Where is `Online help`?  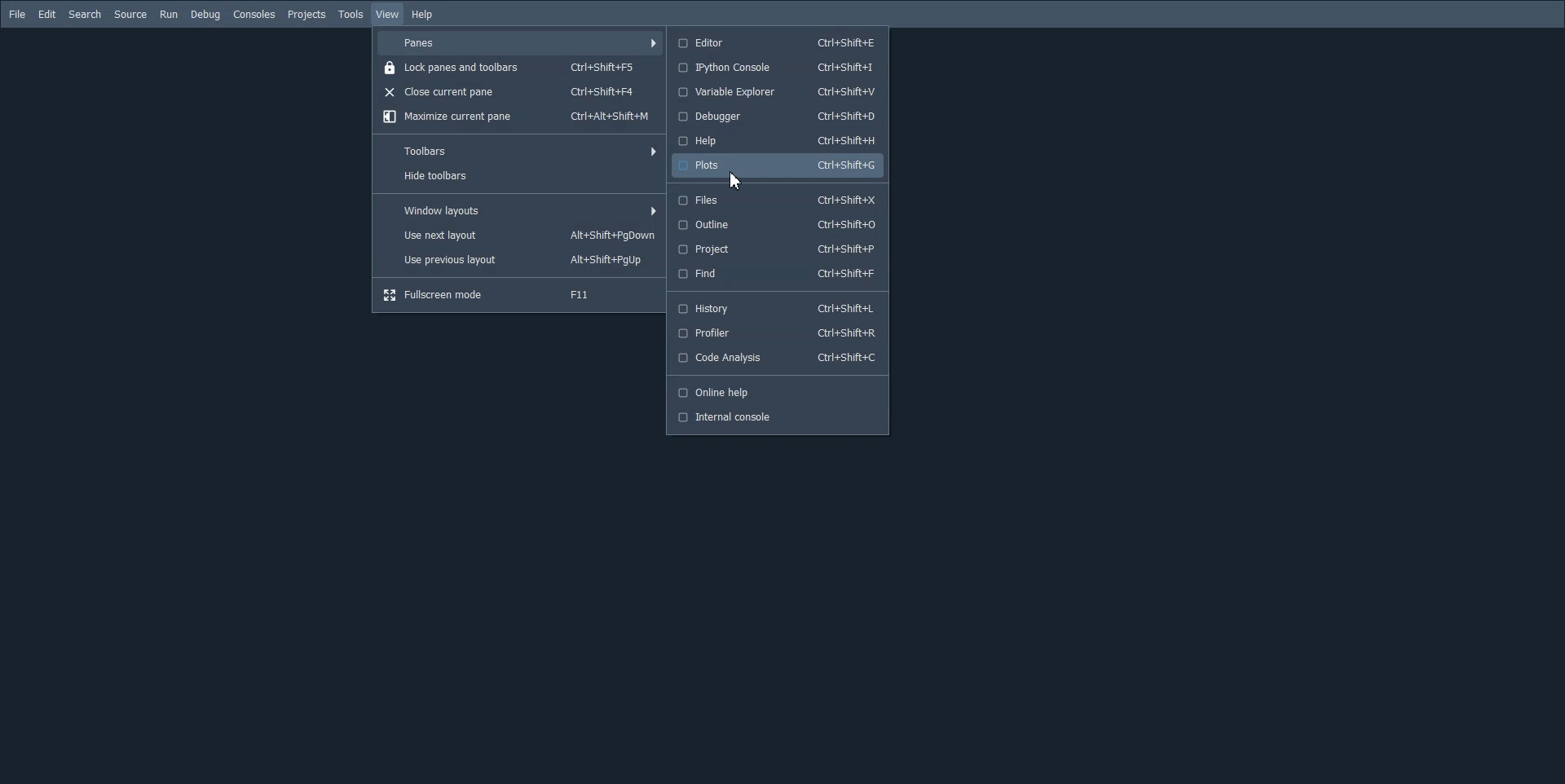
Online help is located at coordinates (780, 392).